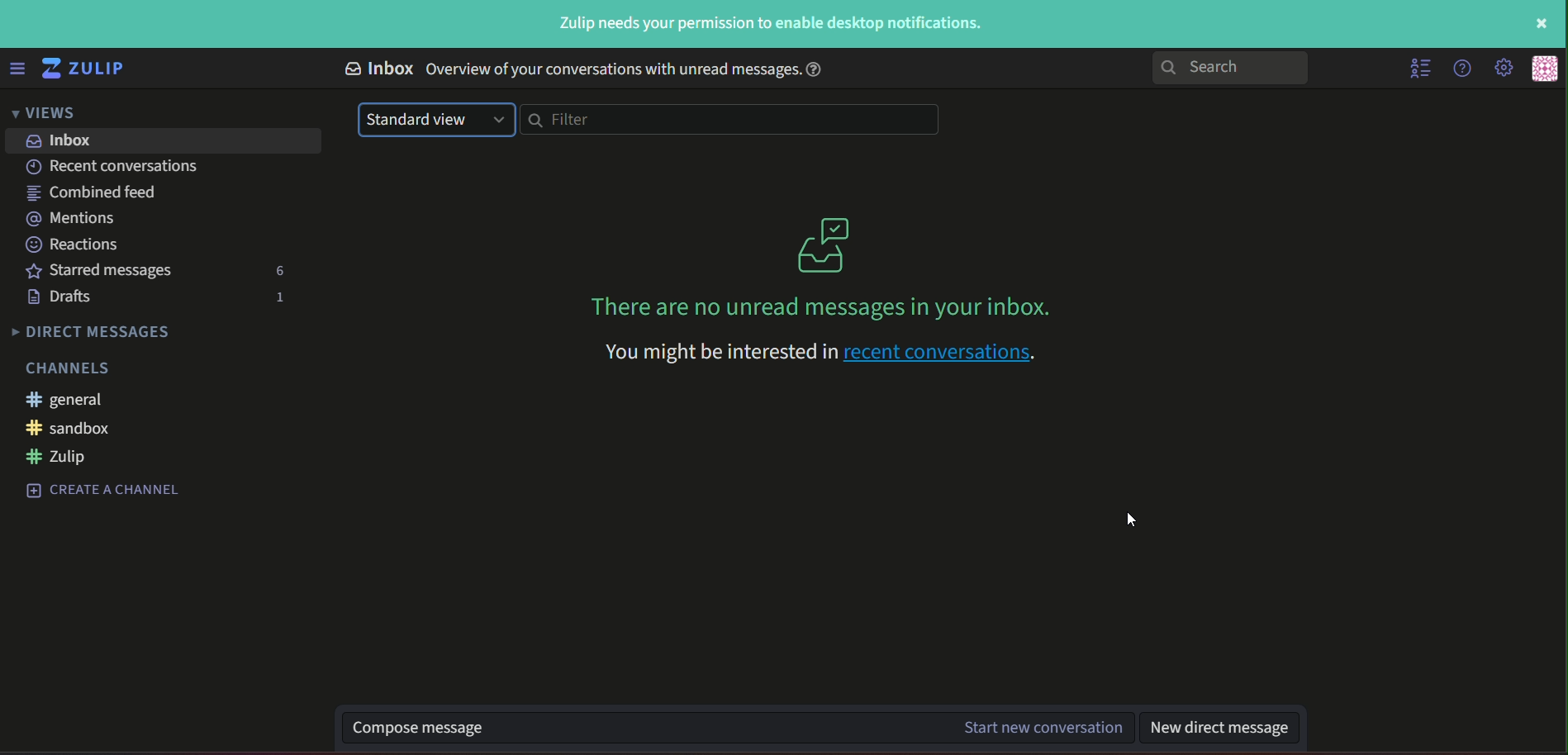 The height and width of the screenshot is (755, 1568). What do you see at coordinates (116, 167) in the screenshot?
I see `text` at bounding box center [116, 167].